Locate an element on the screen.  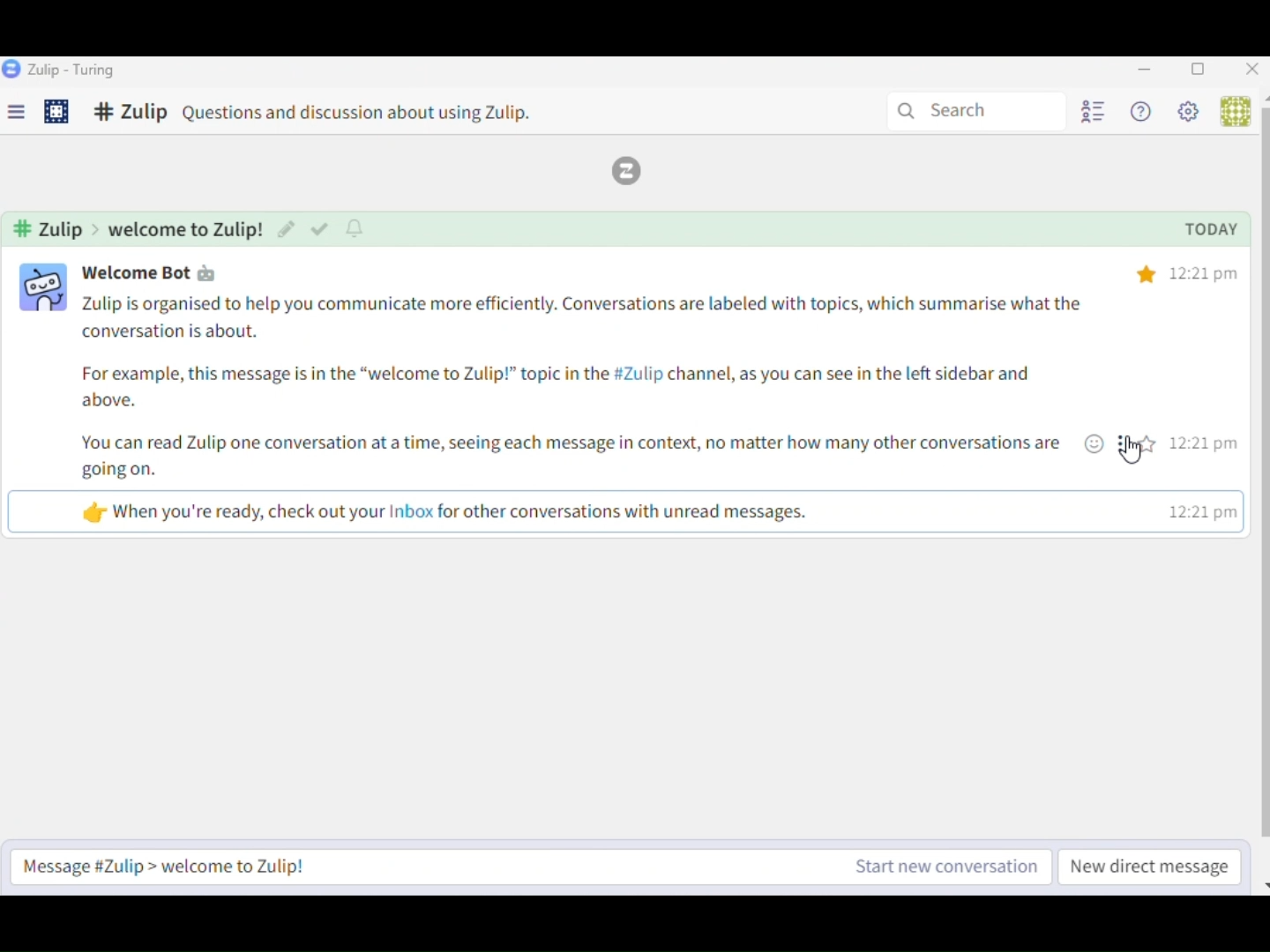
star is located at coordinates (1147, 445).